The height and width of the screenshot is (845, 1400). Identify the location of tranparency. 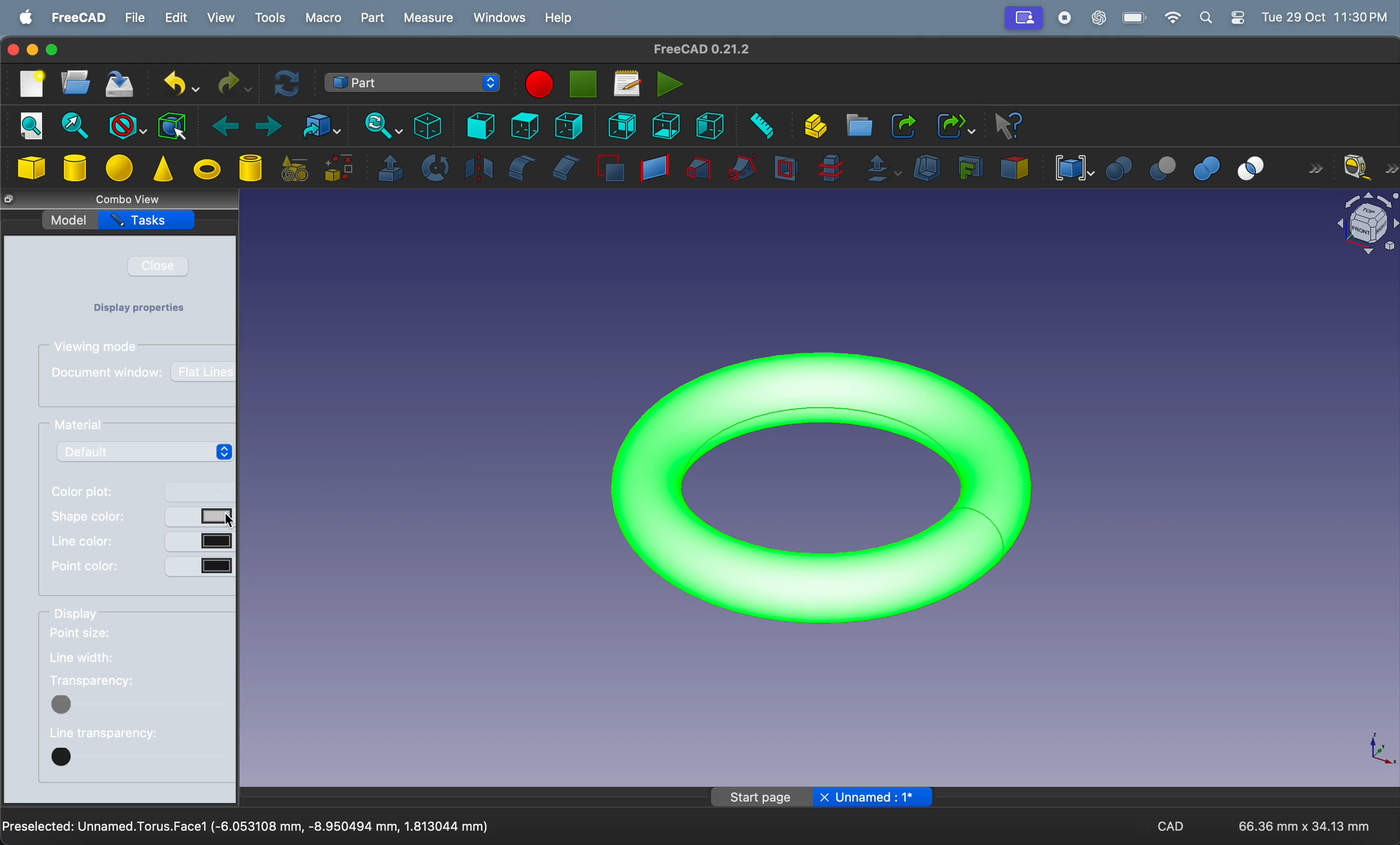
(105, 681).